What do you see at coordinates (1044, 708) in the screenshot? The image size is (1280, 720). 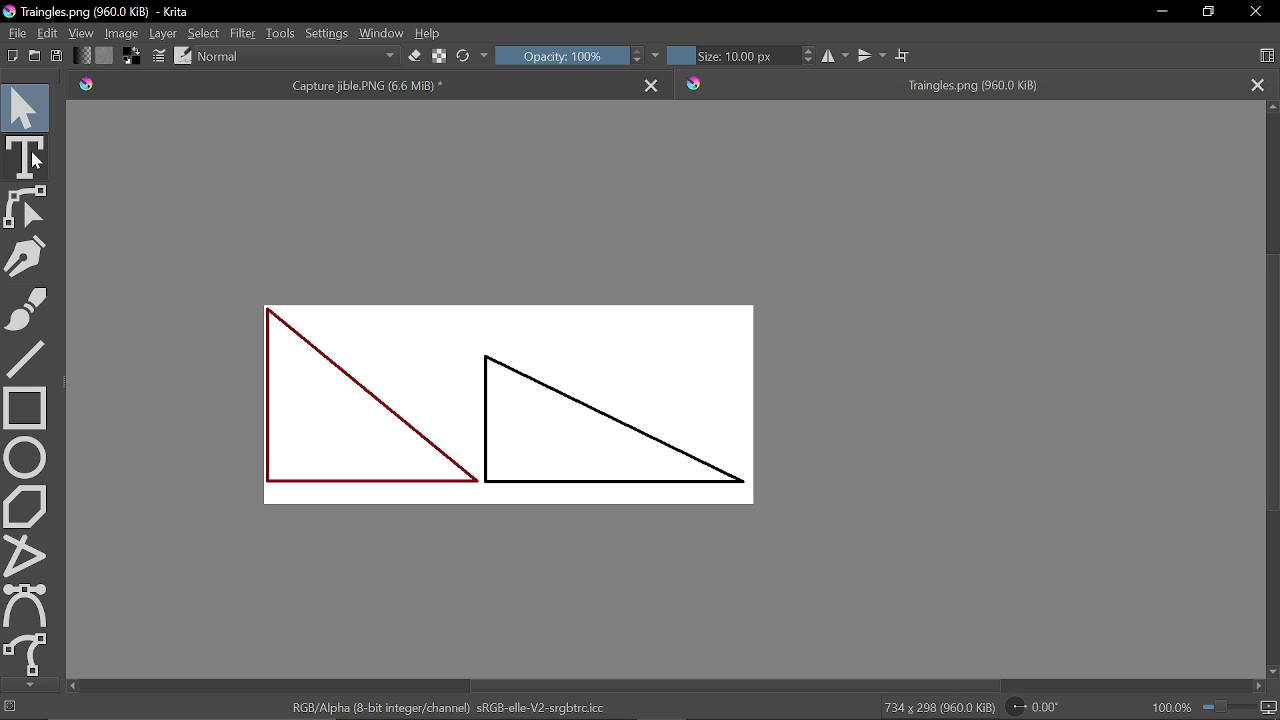 I see `Rotate` at bounding box center [1044, 708].